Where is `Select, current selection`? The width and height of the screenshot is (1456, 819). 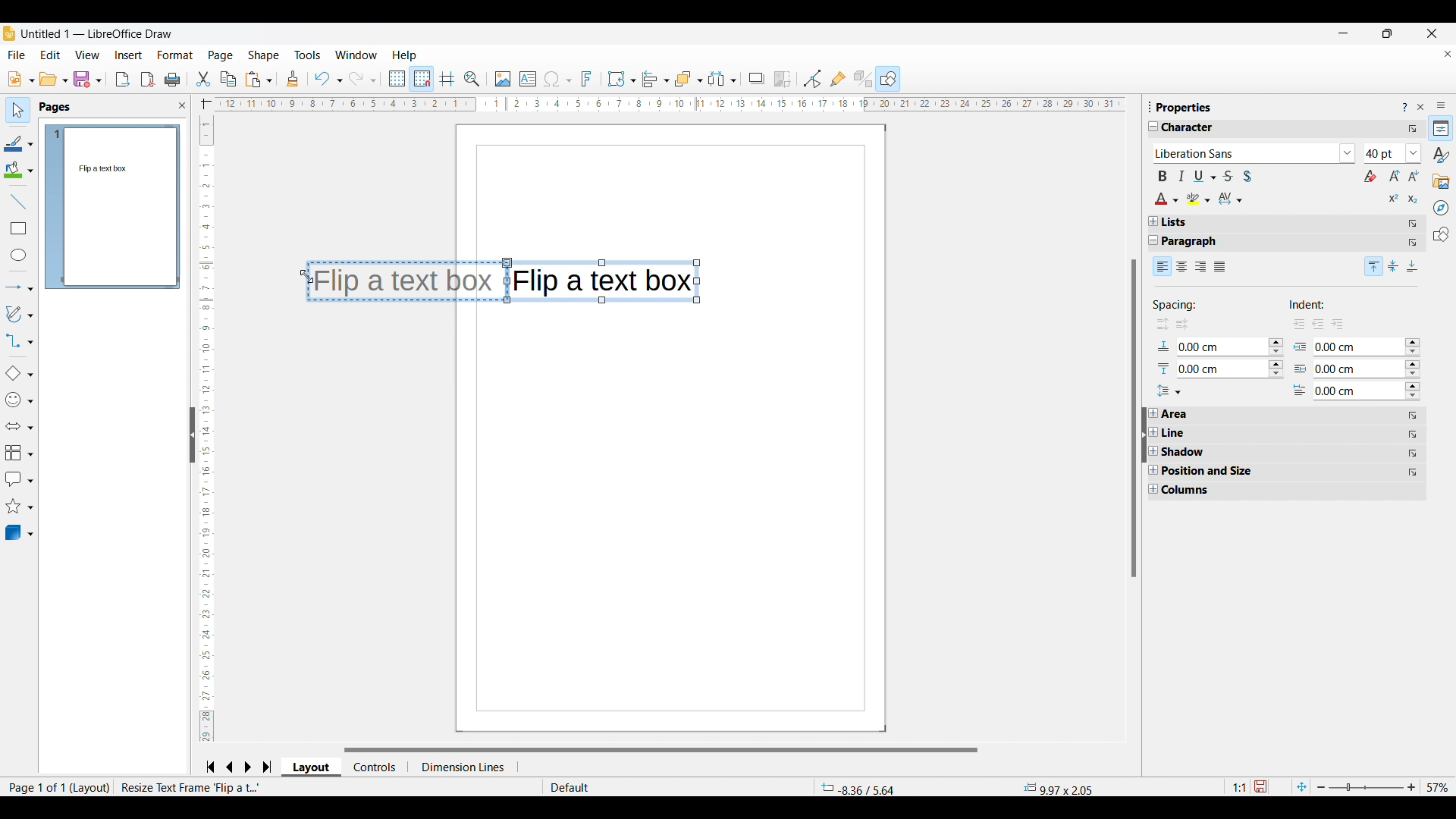
Select, current selection is located at coordinates (18, 110).